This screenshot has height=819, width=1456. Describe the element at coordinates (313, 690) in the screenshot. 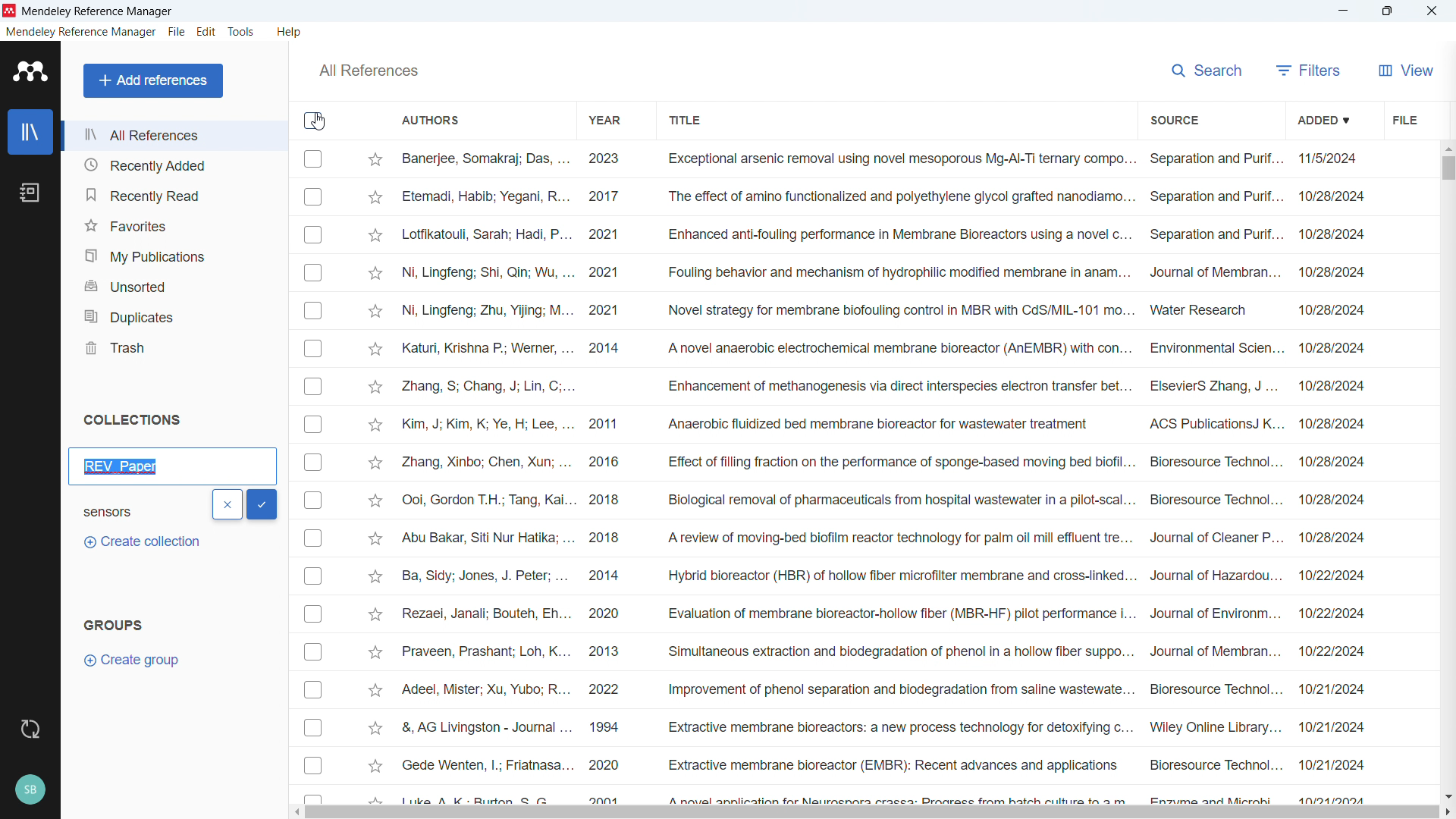

I see `Select respective publication` at that location.